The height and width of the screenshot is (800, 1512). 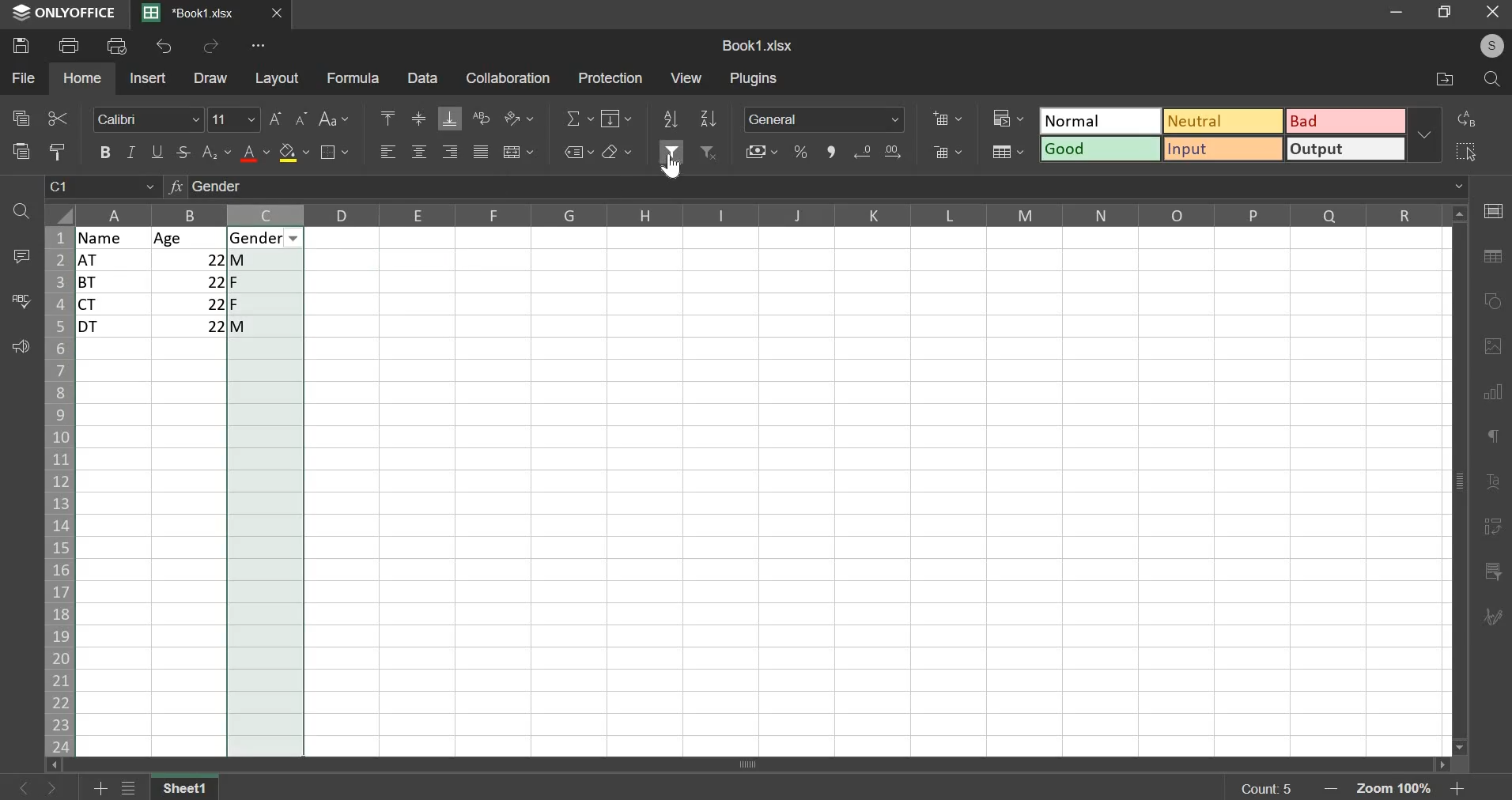 What do you see at coordinates (387, 115) in the screenshot?
I see `align top` at bounding box center [387, 115].